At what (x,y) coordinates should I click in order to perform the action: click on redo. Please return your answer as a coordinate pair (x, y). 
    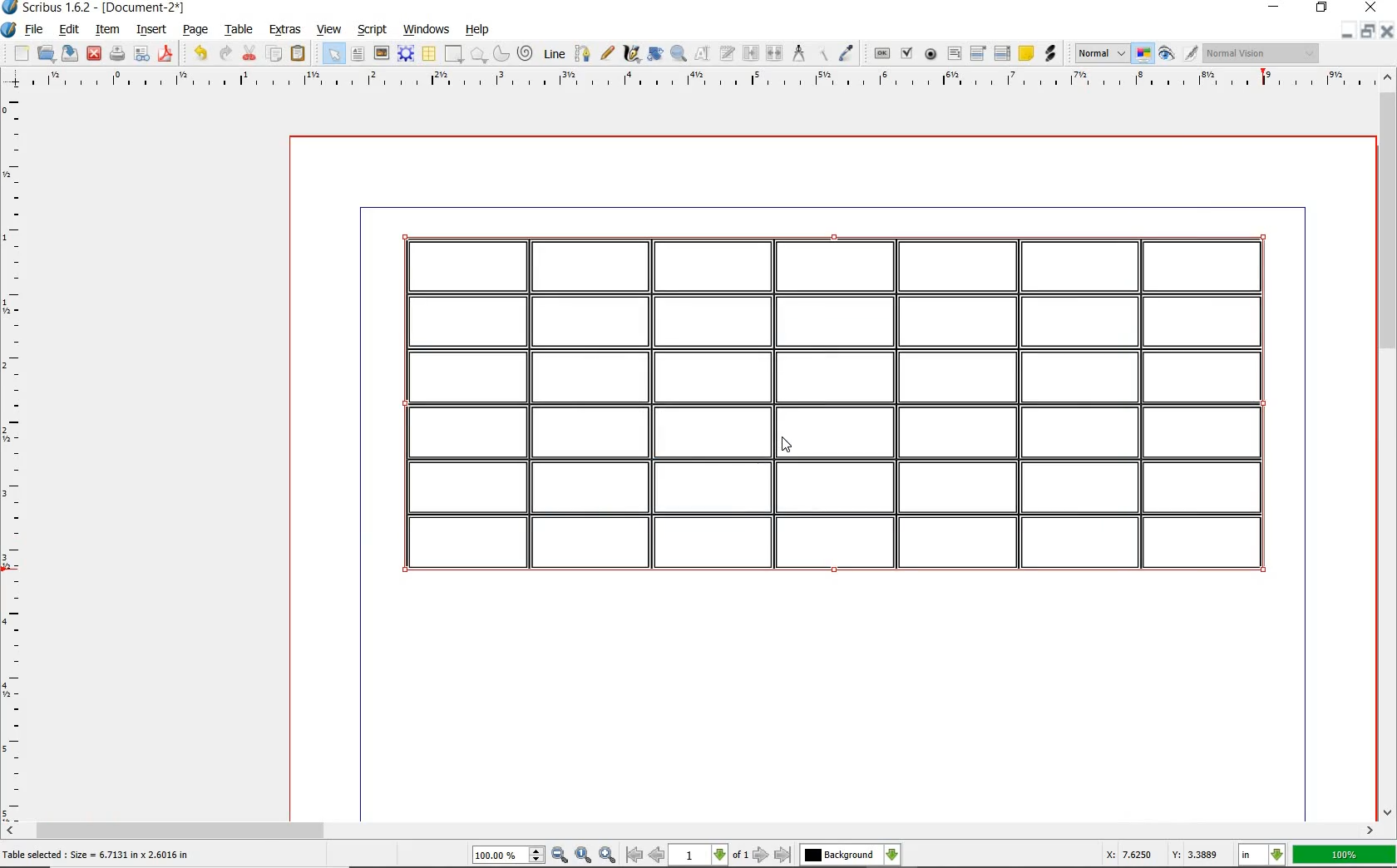
    Looking at the image, I should click on (223, 52).